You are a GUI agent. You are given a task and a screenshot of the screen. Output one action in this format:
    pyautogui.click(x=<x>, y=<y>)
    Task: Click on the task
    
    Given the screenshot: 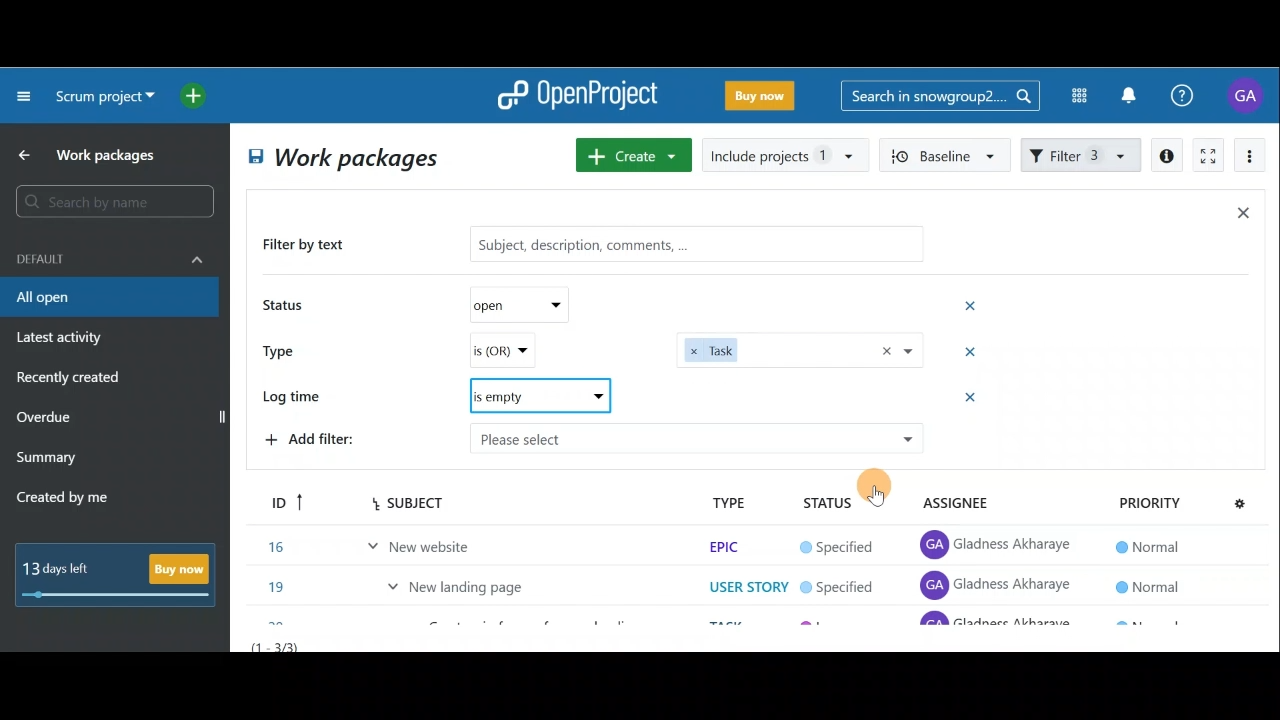 What is the action you would take?
    pyautogui.click(x=800, y=349)
    